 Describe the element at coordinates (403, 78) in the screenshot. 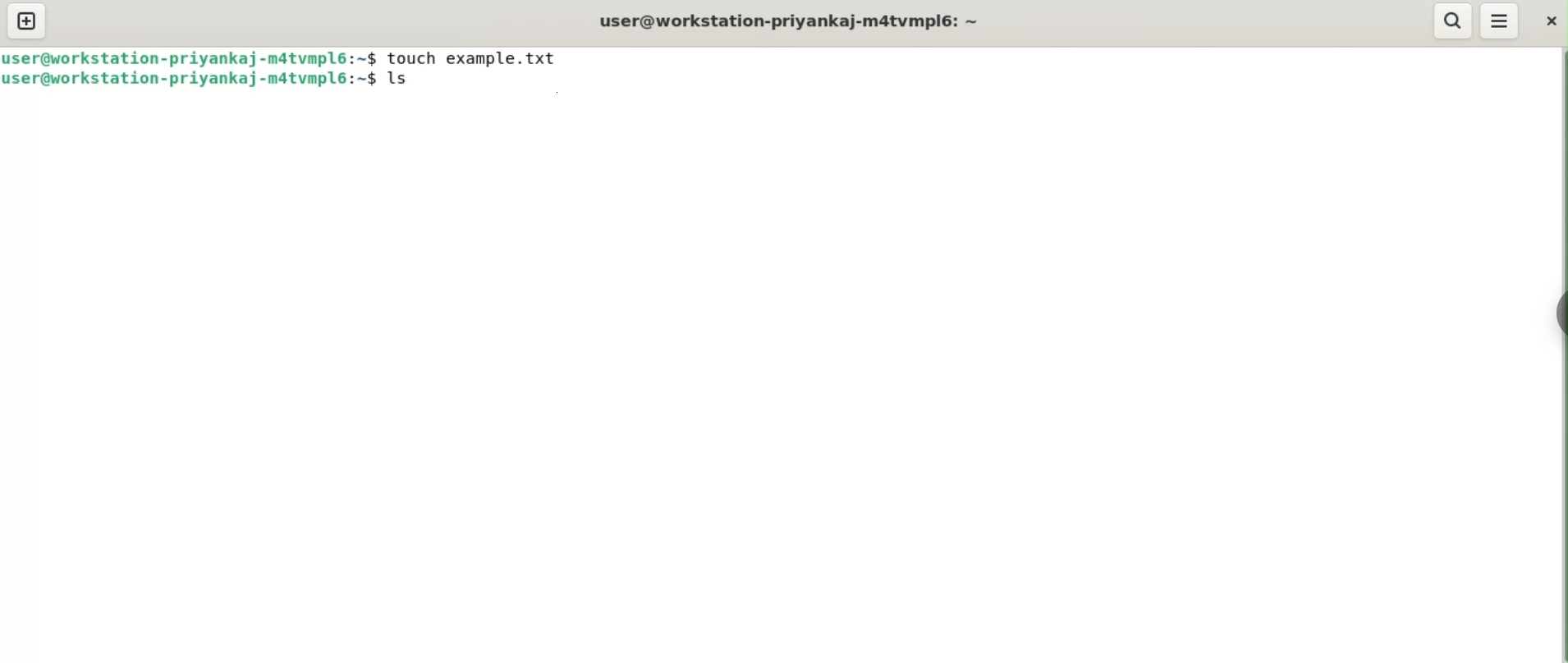

I see `ls` at that location.